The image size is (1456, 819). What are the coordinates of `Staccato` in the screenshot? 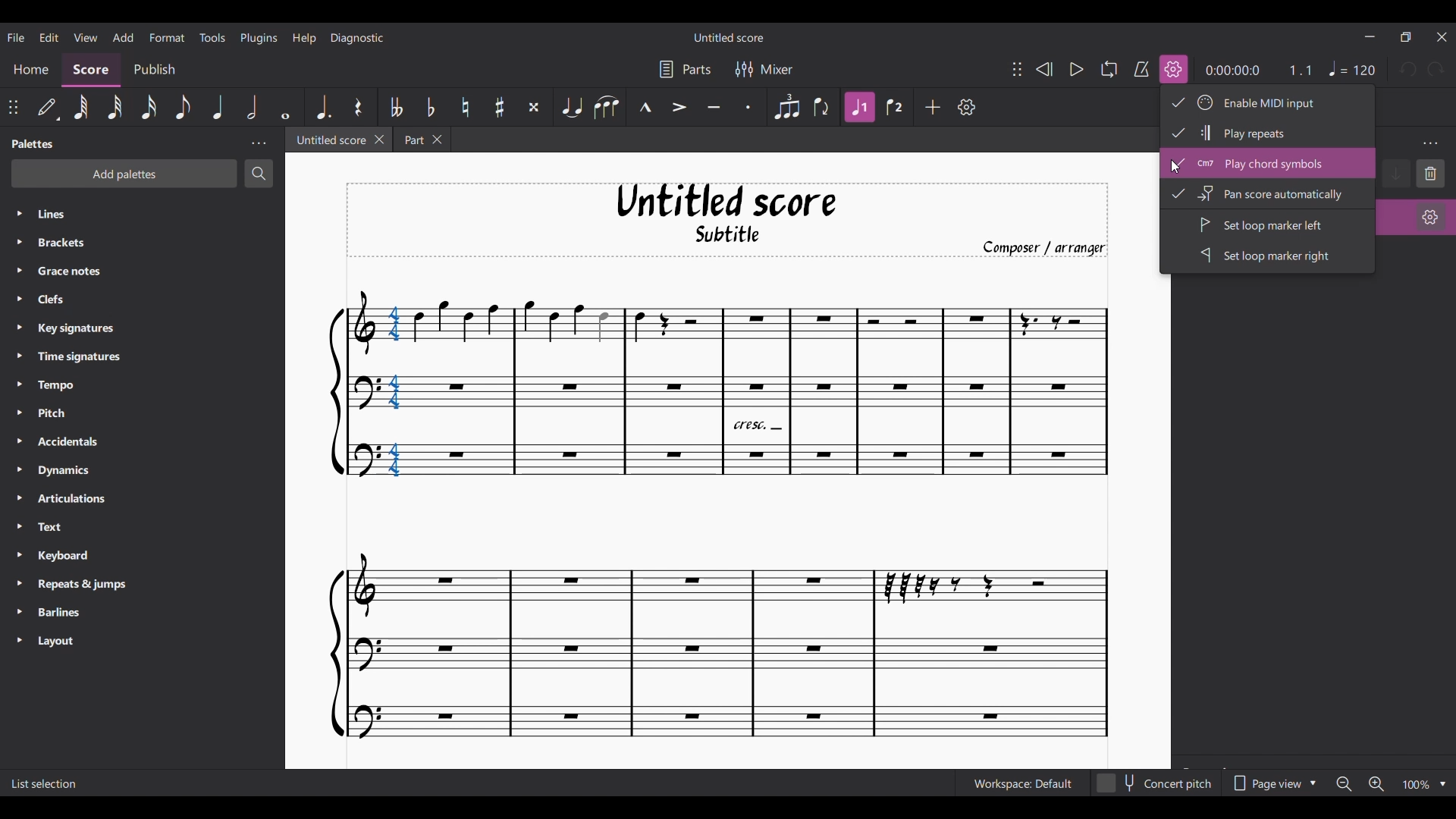 It's located at (749, 107).